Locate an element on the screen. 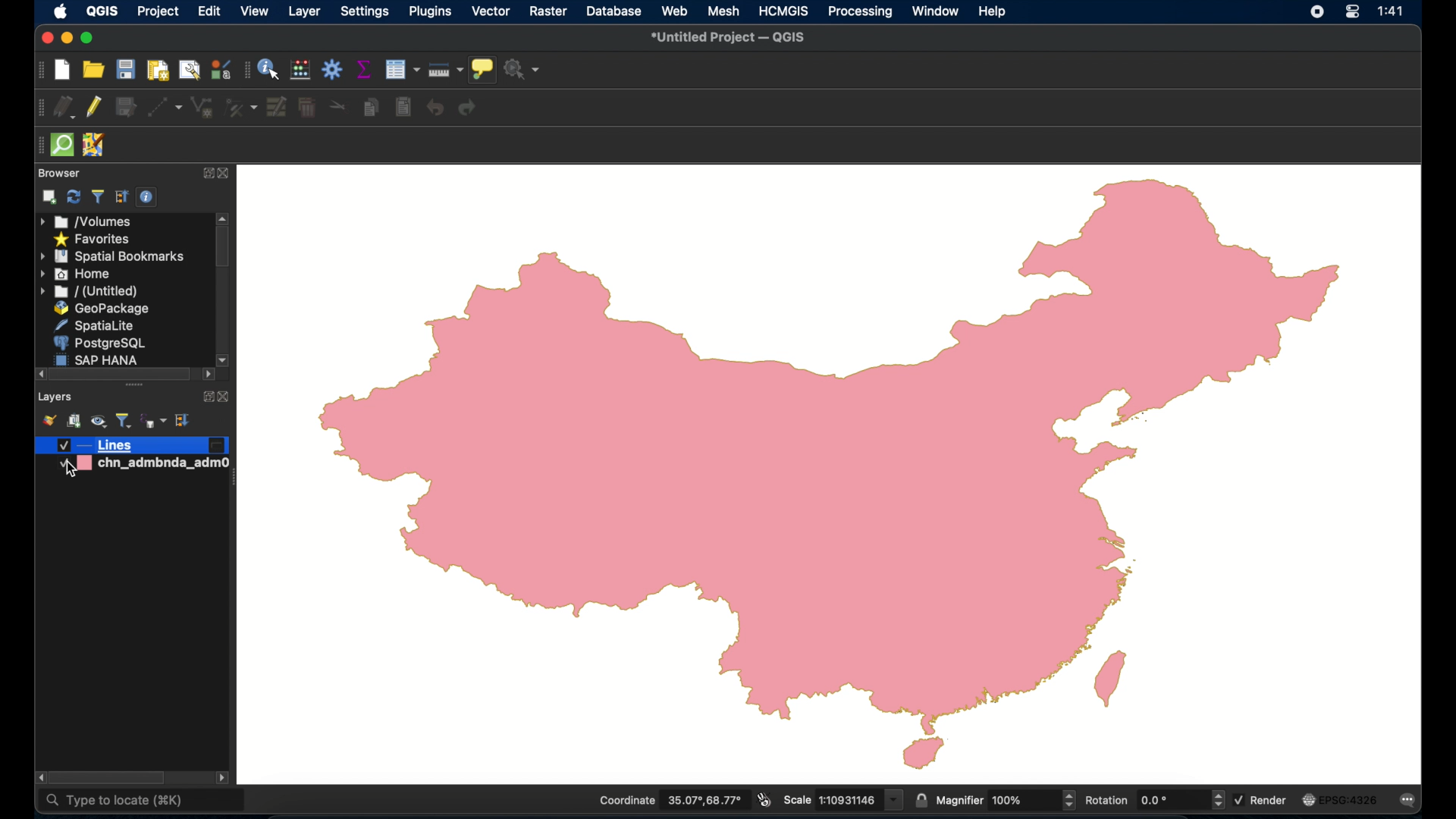 This screenshot has height=819, width=1456. scroll box is located at coordinates (119, 374).